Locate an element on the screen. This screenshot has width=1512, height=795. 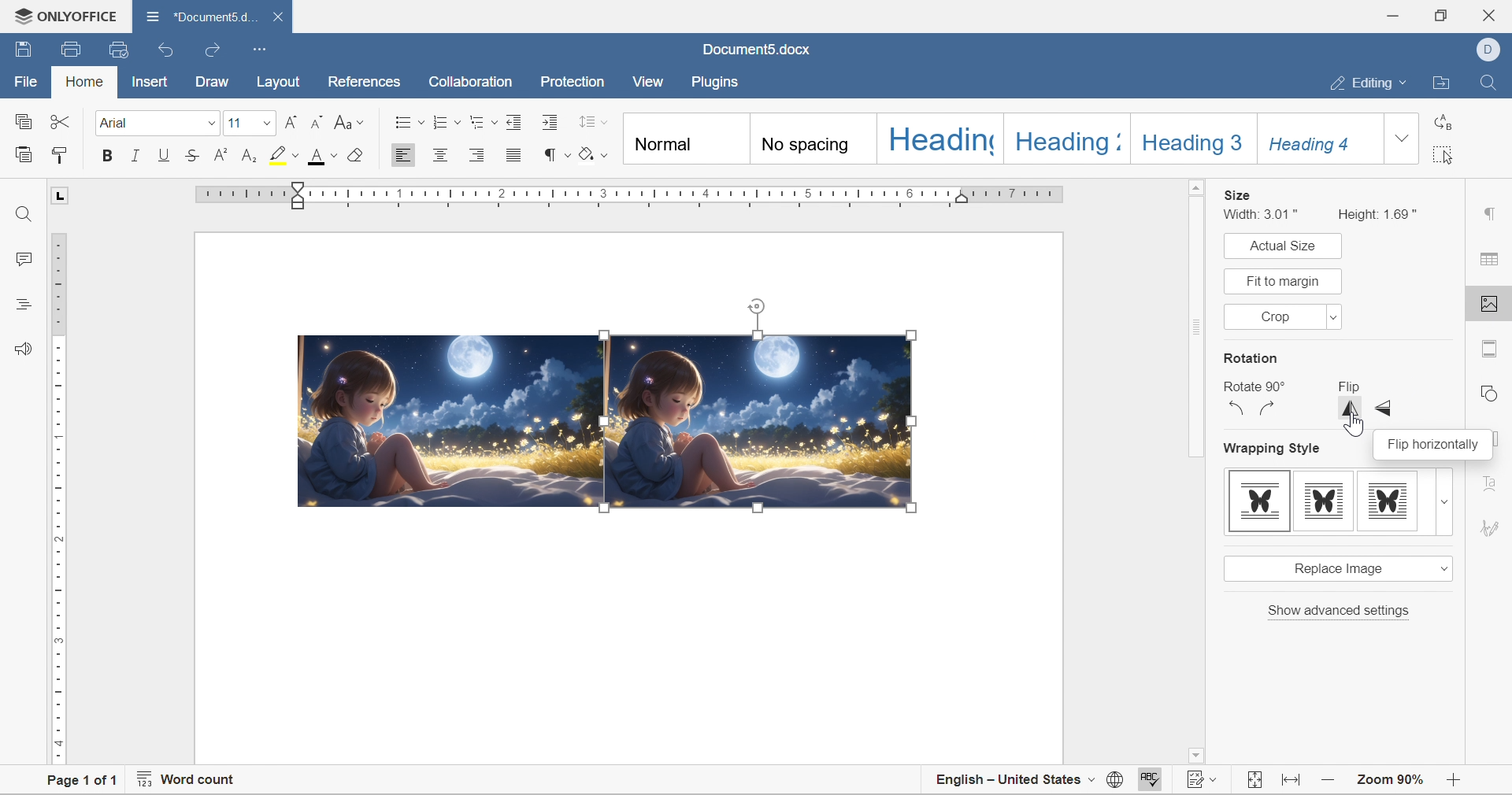
collaboration is located at coordinates (473, 83).